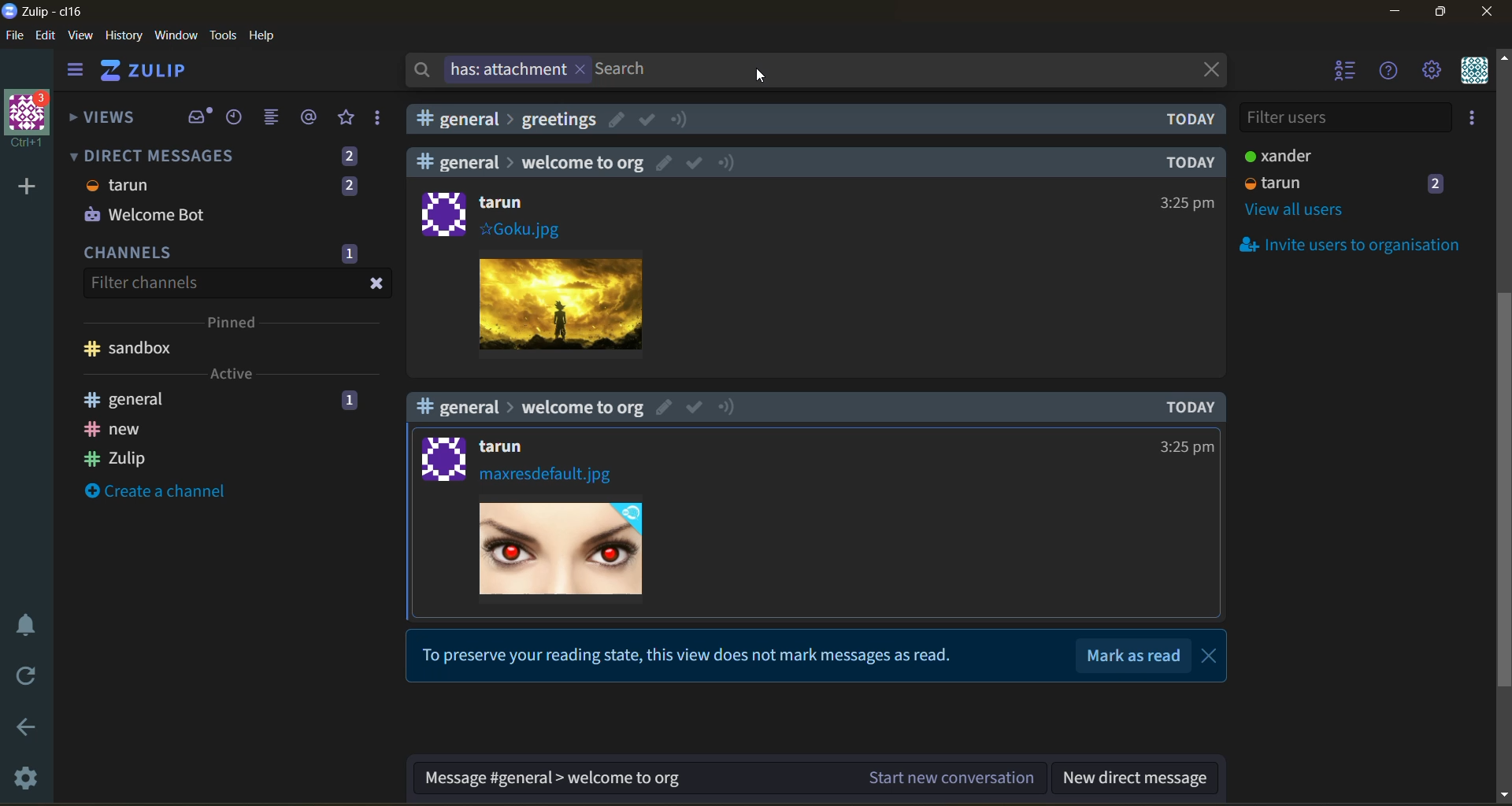  Describe the element at coordinates (1186, 162) in the screenshot. I see `TODAY` at that location.